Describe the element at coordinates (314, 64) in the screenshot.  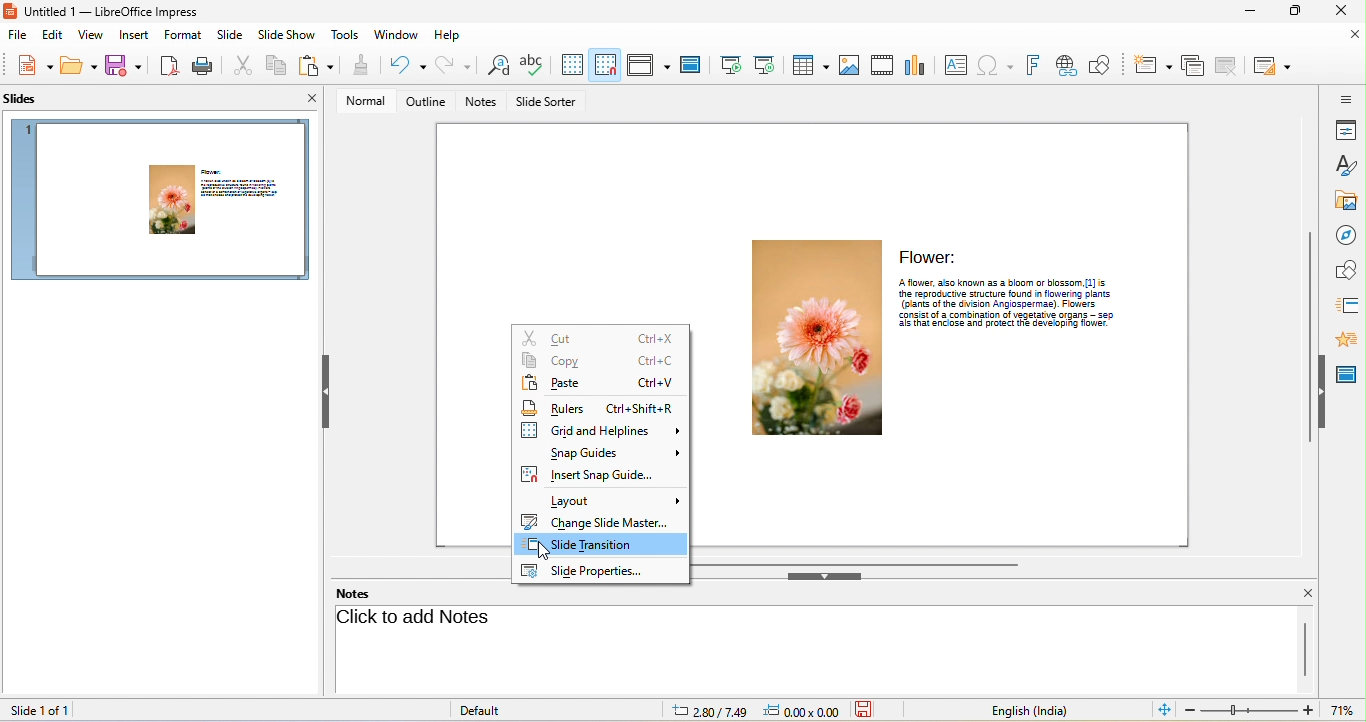
I see `paste` at that location.